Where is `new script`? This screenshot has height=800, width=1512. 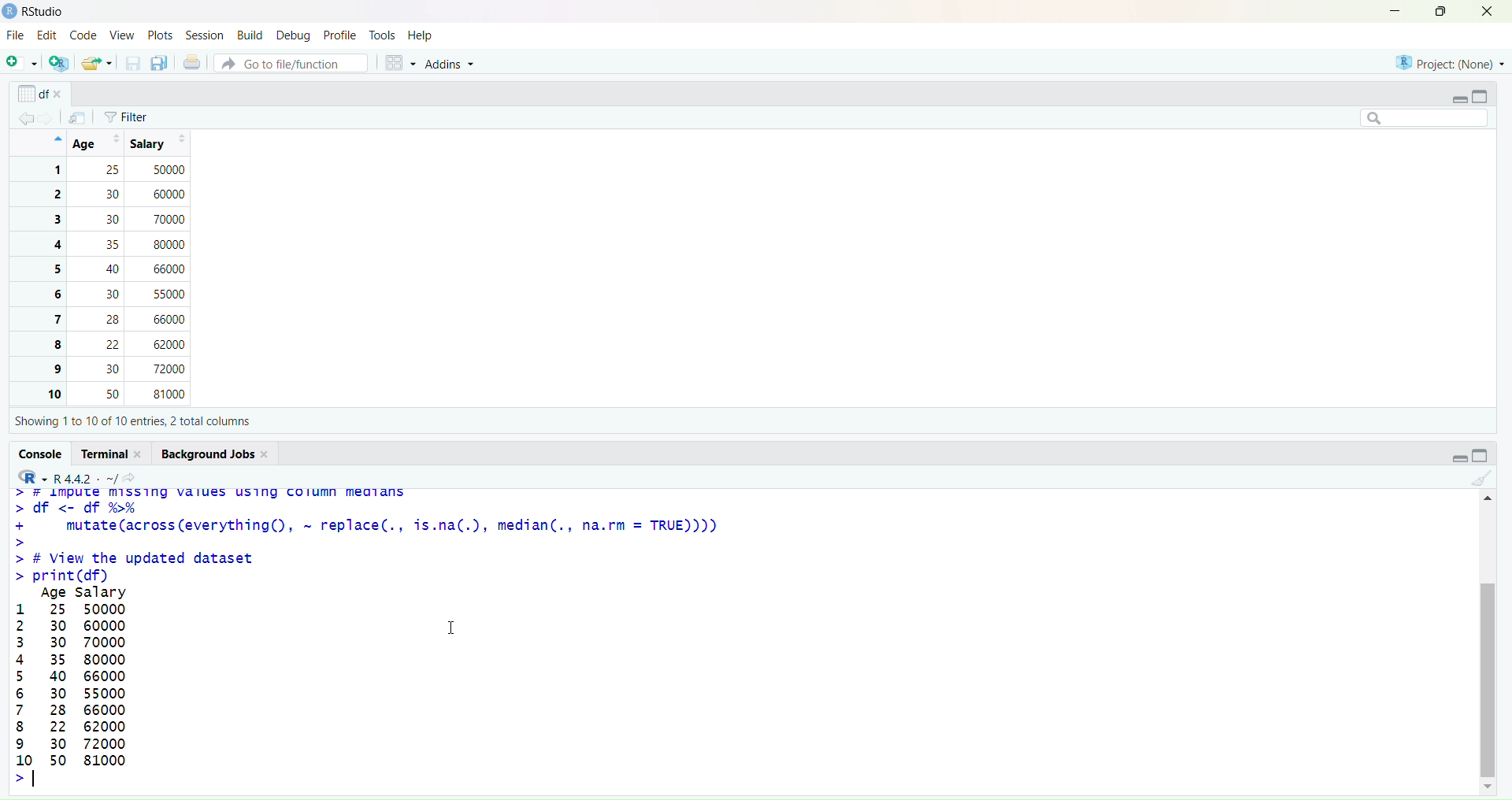 new script is located at coordinates (20, 65).